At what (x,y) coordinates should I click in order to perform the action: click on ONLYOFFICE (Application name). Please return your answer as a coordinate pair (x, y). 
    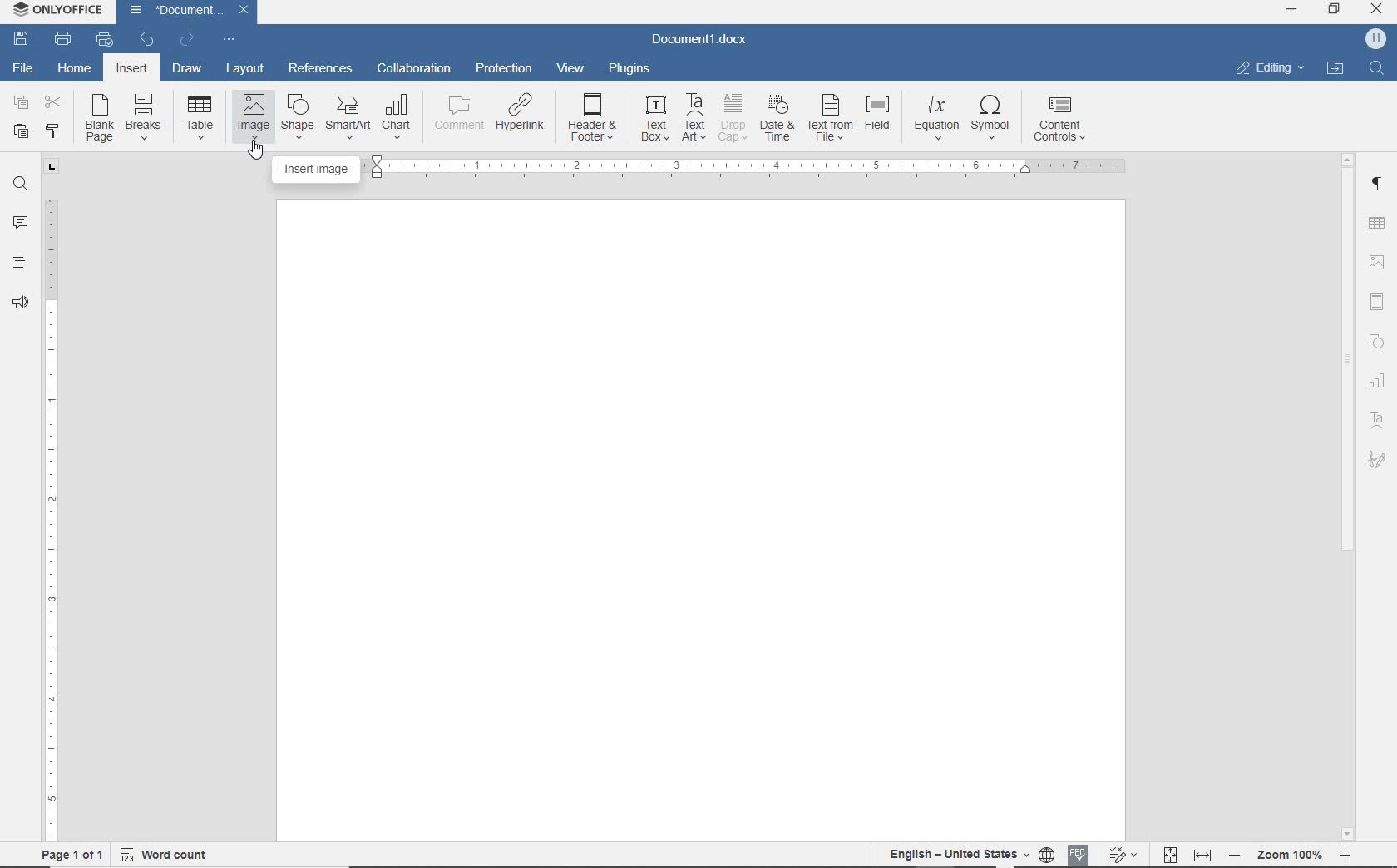
    Looking at the image, I should click on (53, 11).